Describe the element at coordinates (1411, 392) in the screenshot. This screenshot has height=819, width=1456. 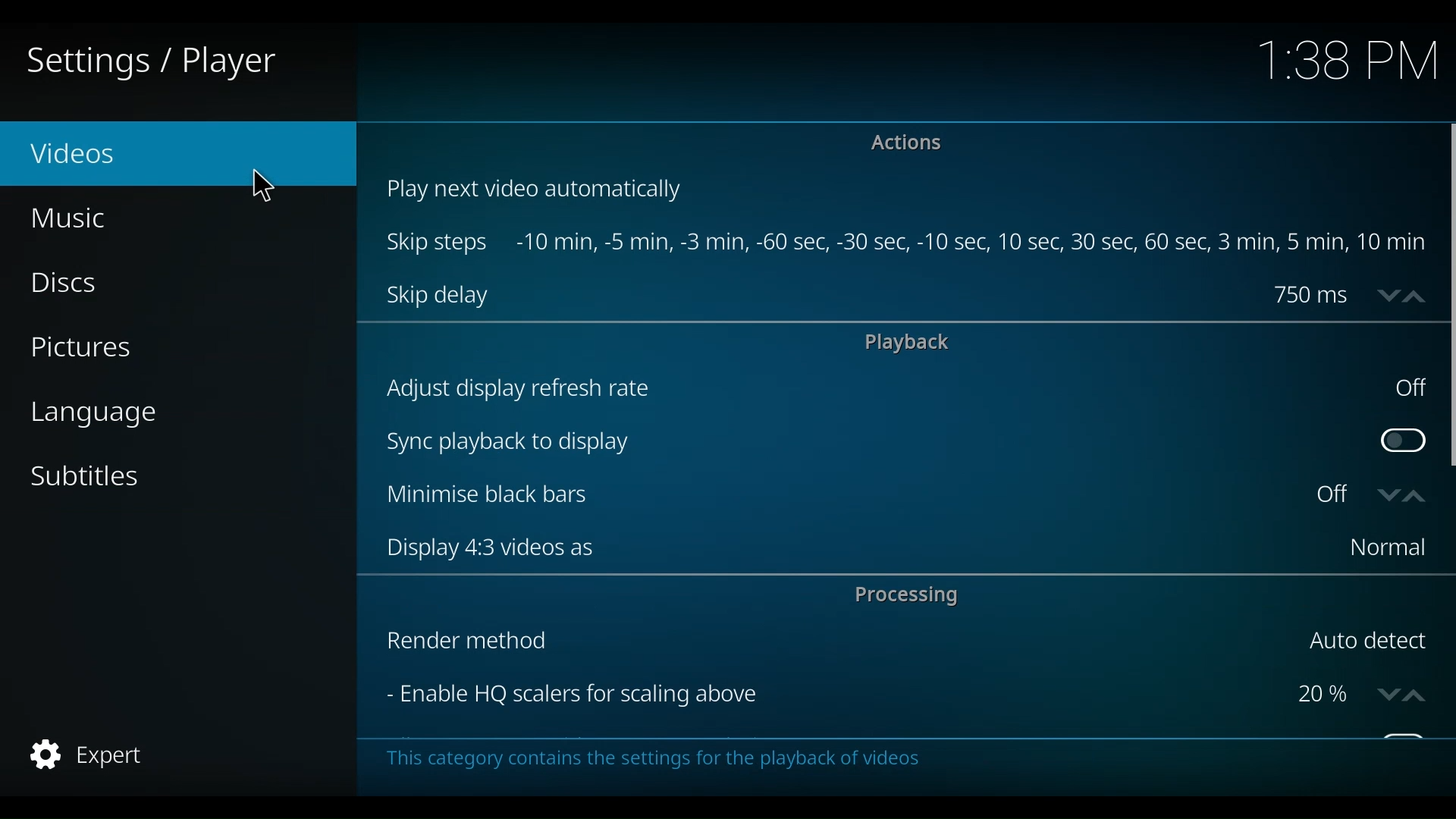
I see `off` at that location.